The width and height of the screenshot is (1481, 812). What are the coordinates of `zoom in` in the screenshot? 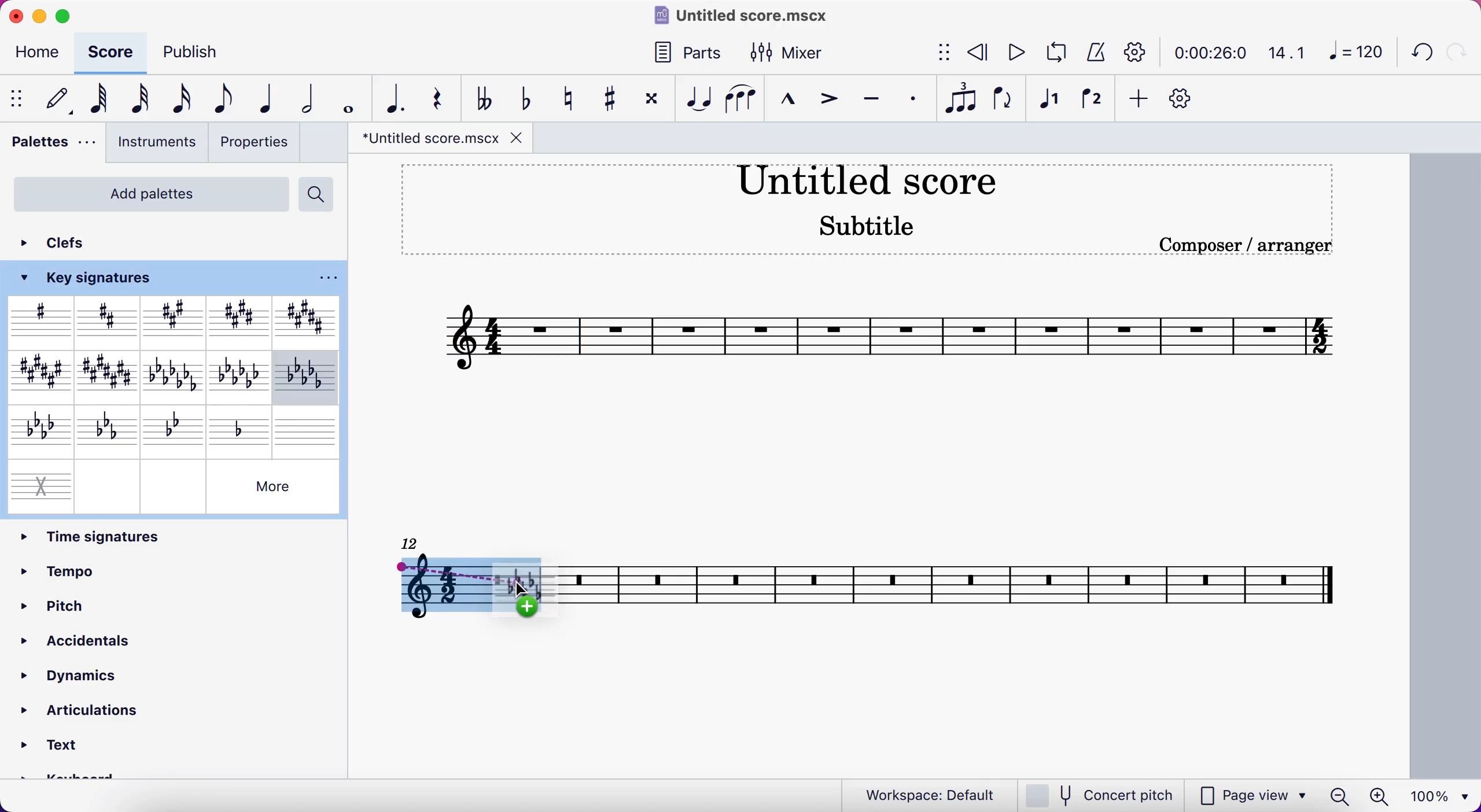 It's located at (1381, 795).